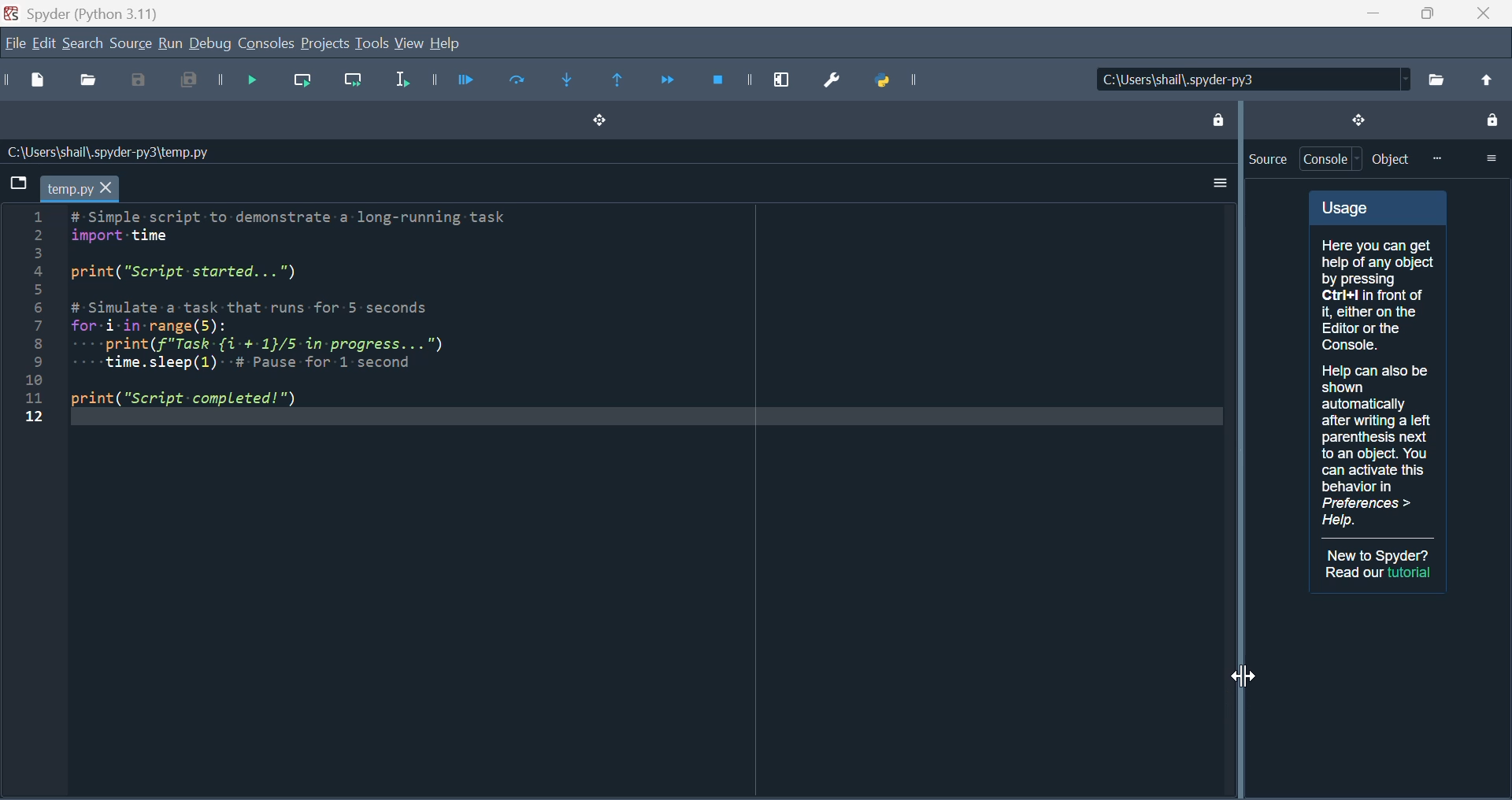 The width and height of the screenshot is (1512, 800). Describe the element at coordinates (1421, 13) in the screenshot. I see `Maximise` at that location.